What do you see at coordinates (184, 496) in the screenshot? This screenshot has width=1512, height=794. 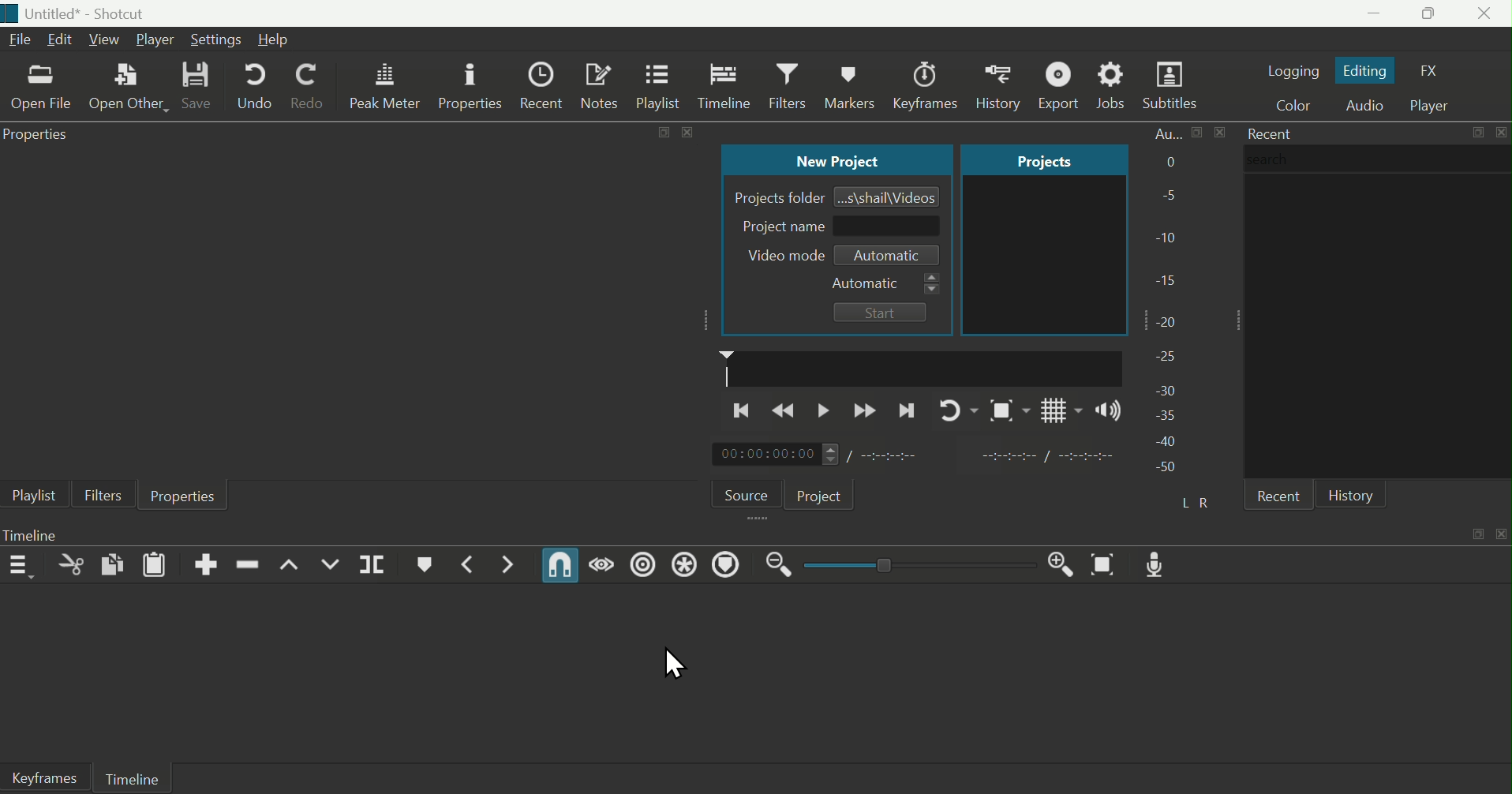 I see `Properties` at bounding box center [184, 496].